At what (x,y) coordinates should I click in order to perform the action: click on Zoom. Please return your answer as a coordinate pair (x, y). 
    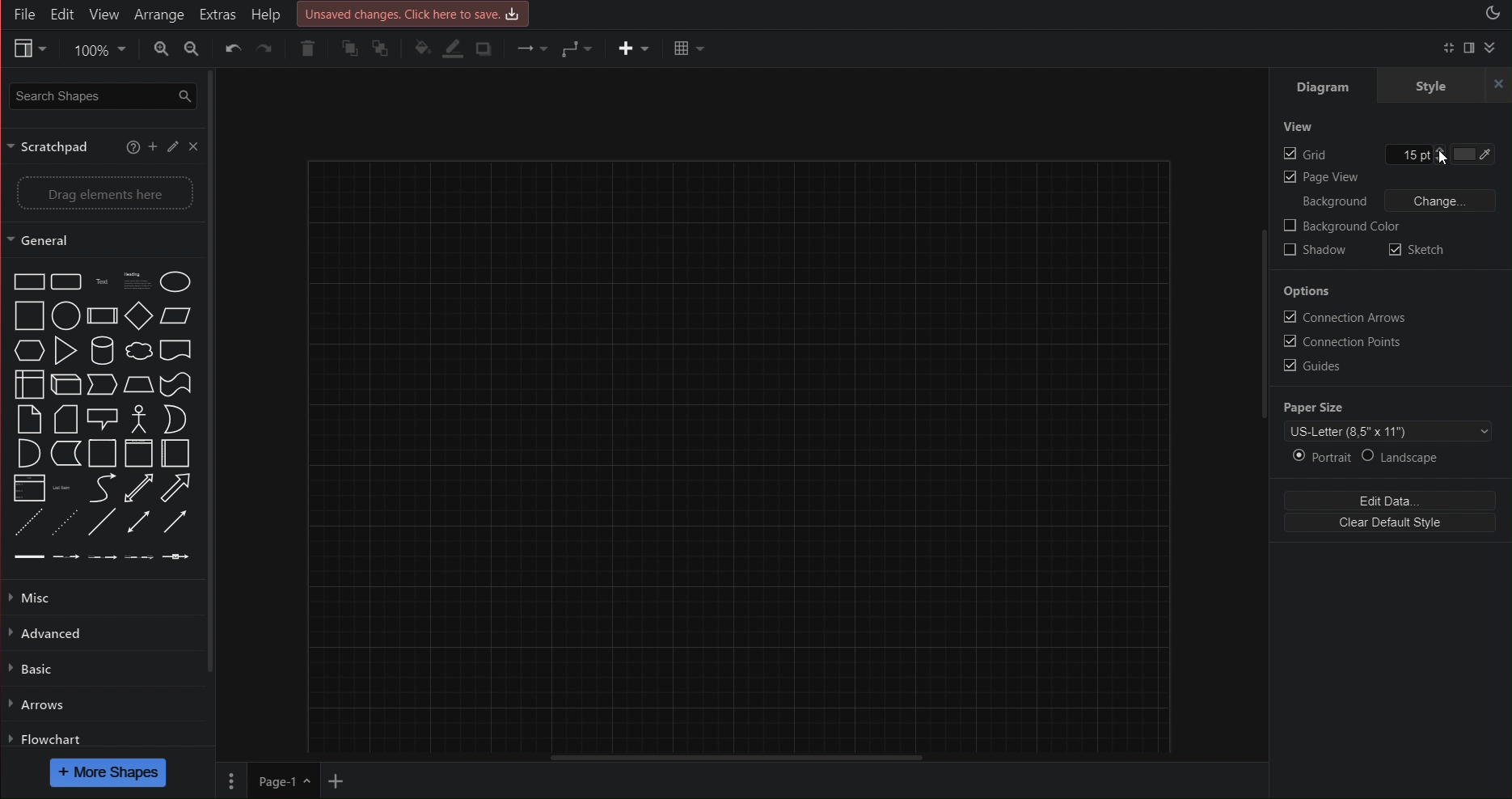
    Looking at the image, I should click on (96, 51).